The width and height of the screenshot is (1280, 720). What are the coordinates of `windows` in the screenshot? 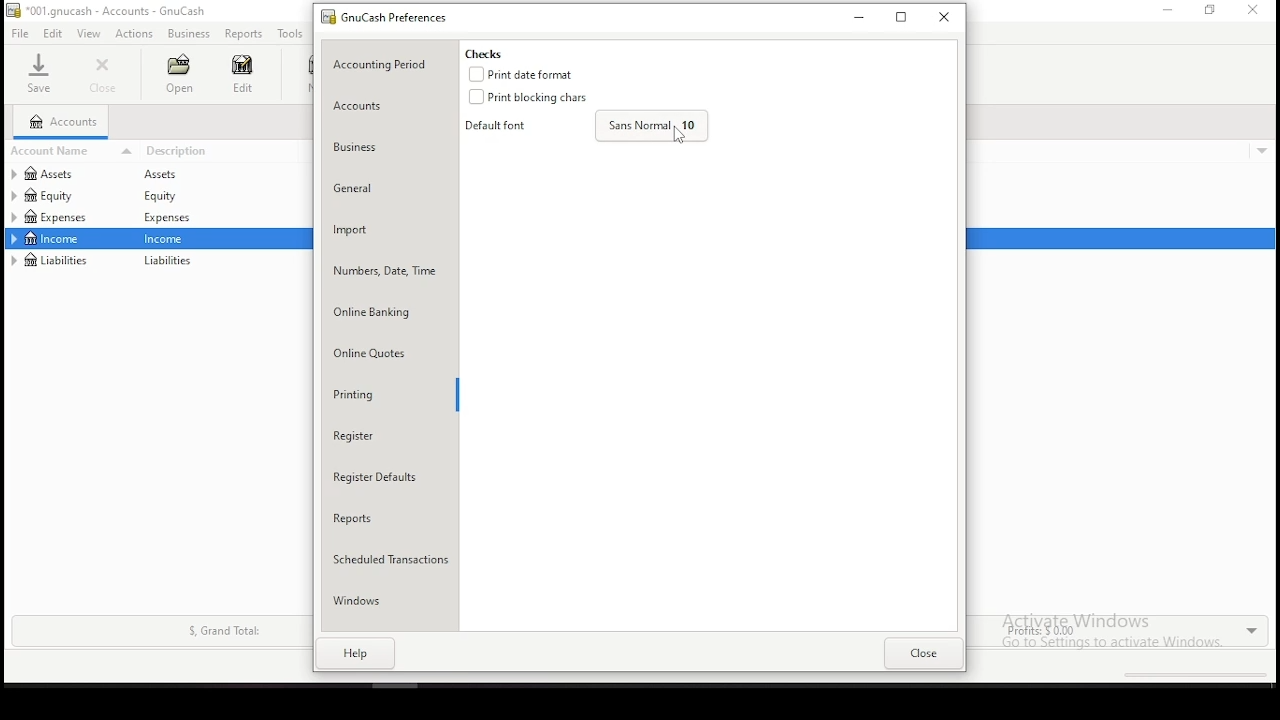 It's located at (384, 600).